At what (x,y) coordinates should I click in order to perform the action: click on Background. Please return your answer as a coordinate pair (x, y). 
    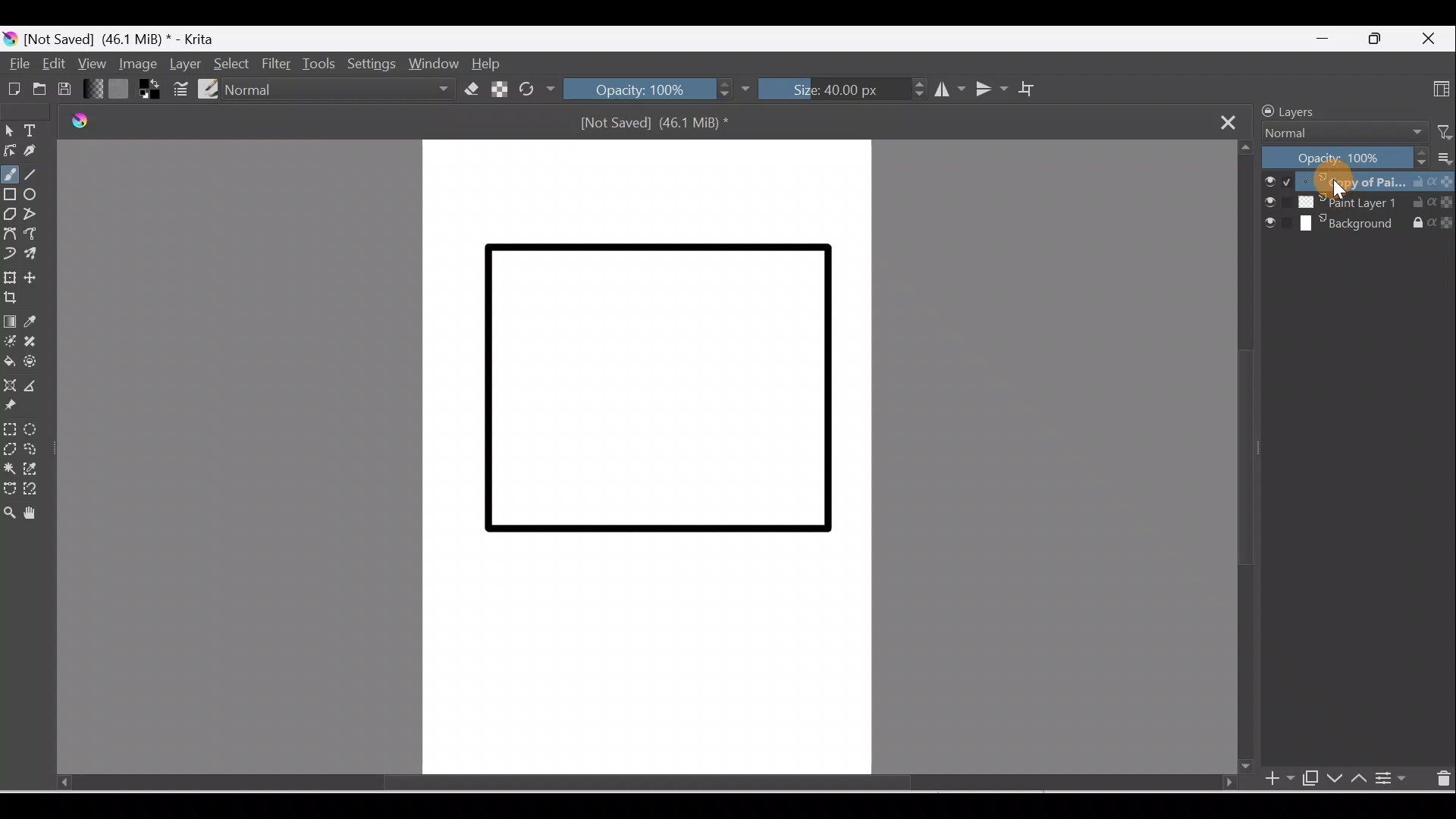
    Looking at the image, I should click on (1359, 226).